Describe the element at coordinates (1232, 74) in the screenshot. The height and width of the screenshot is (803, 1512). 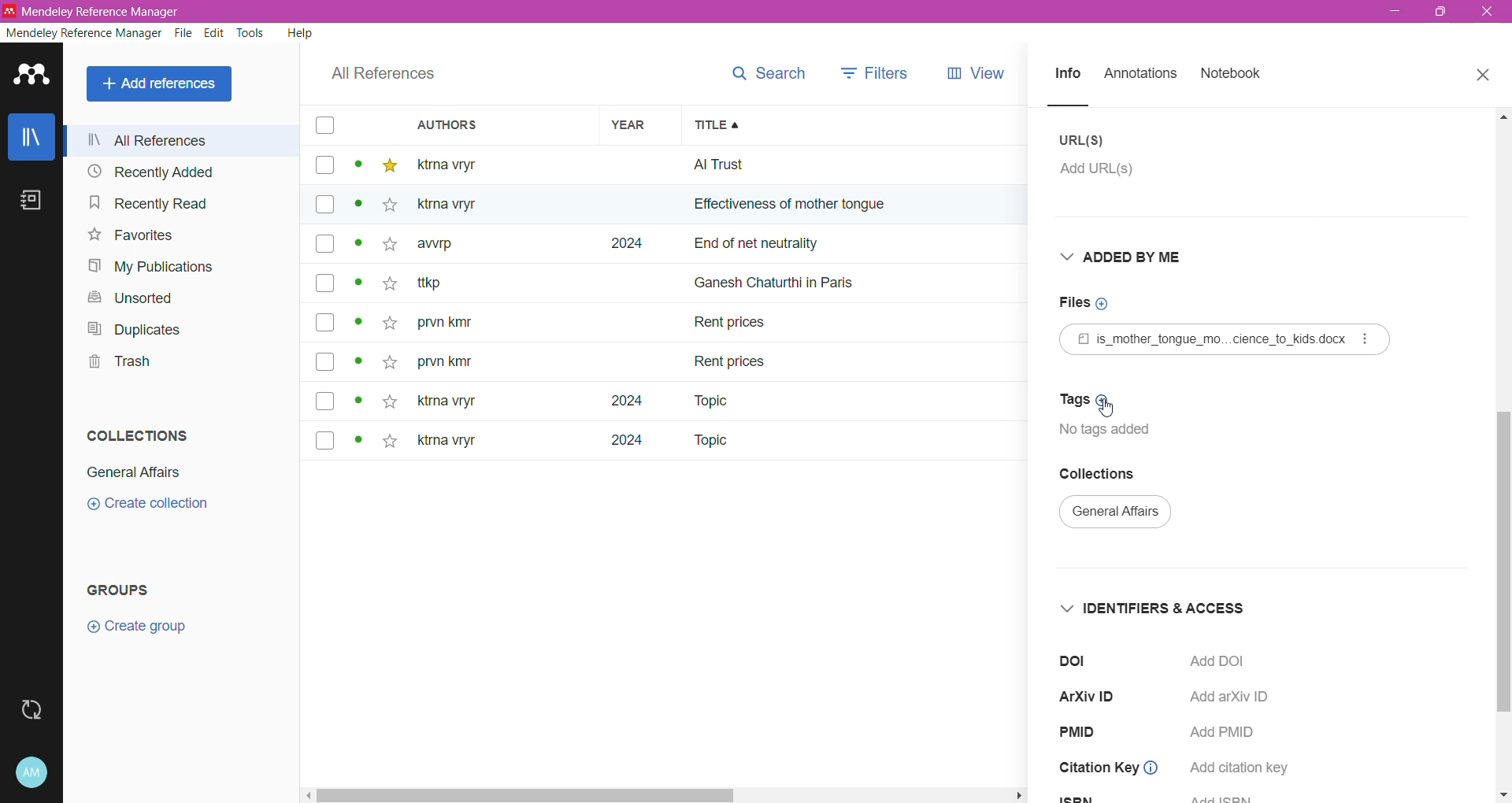
I see `Notebook` at that location.